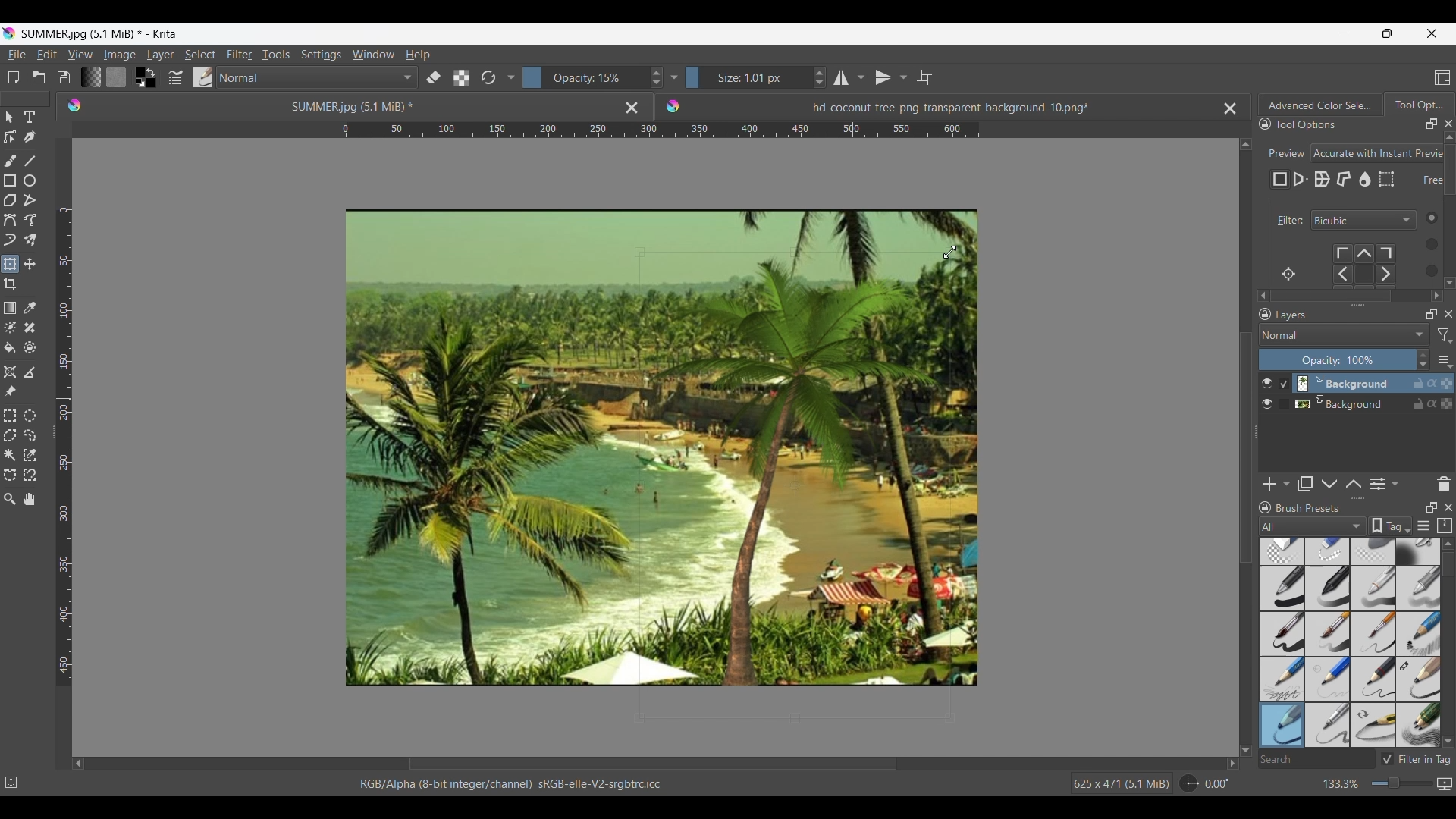 Image resolution: width=1456 pixels, height=819 pixels. Describe the element at coordinates (330, 105) in the screenshot. I see `SUMMERjpg (5.1 MiB)*` at that location.